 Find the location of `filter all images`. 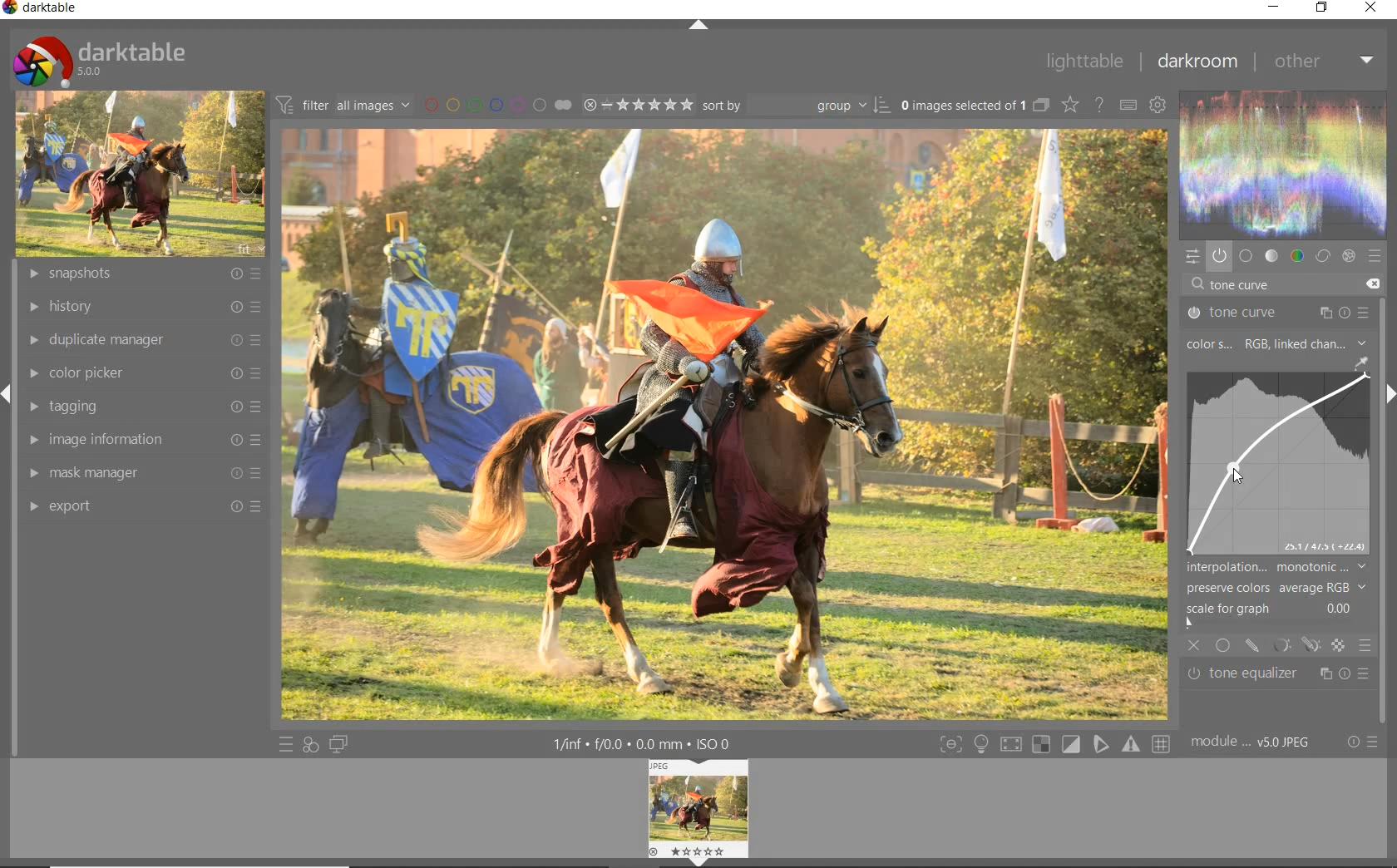

filter all images is located at coordinates (343, 105).